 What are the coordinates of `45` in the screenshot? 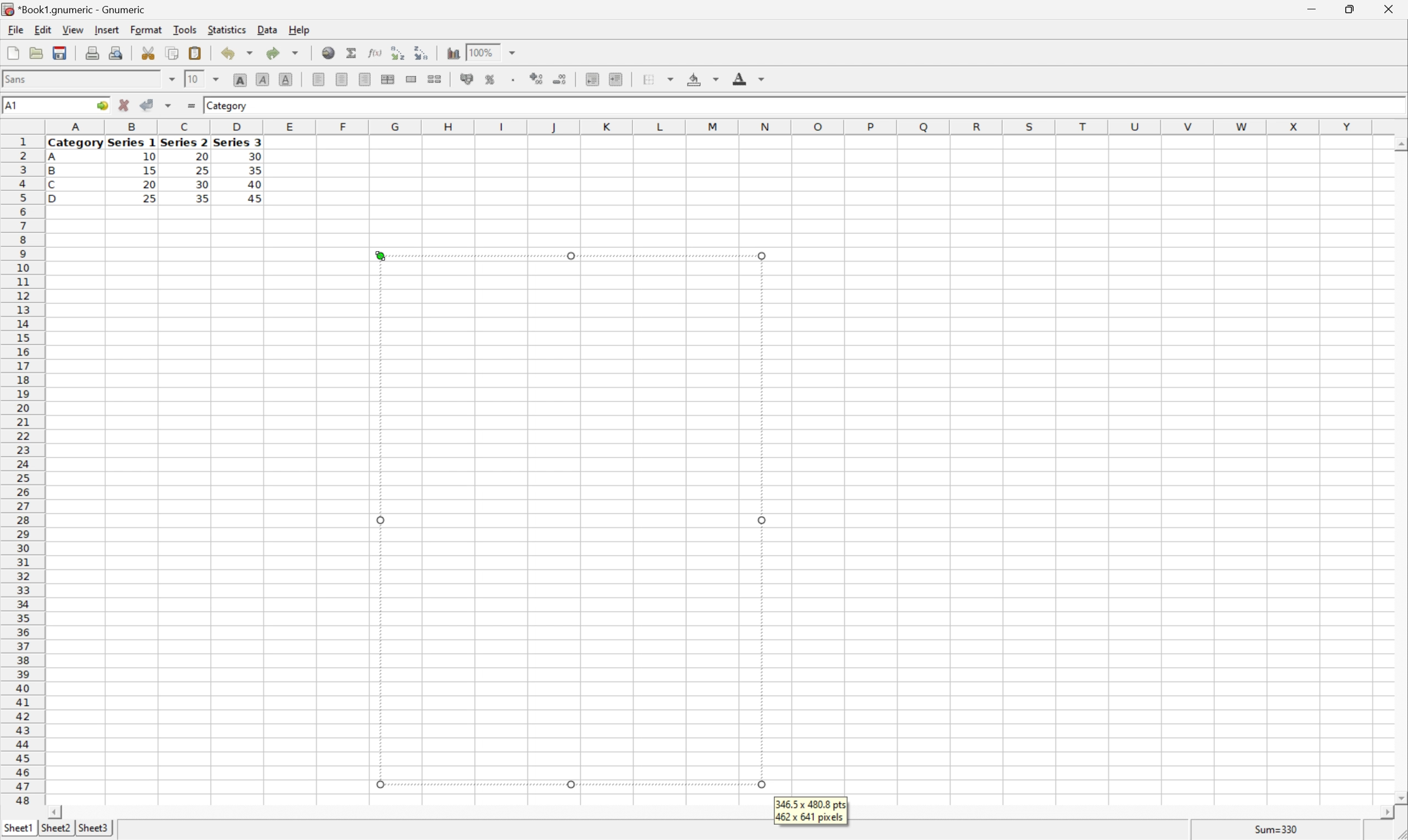 It's located at (260, 199).